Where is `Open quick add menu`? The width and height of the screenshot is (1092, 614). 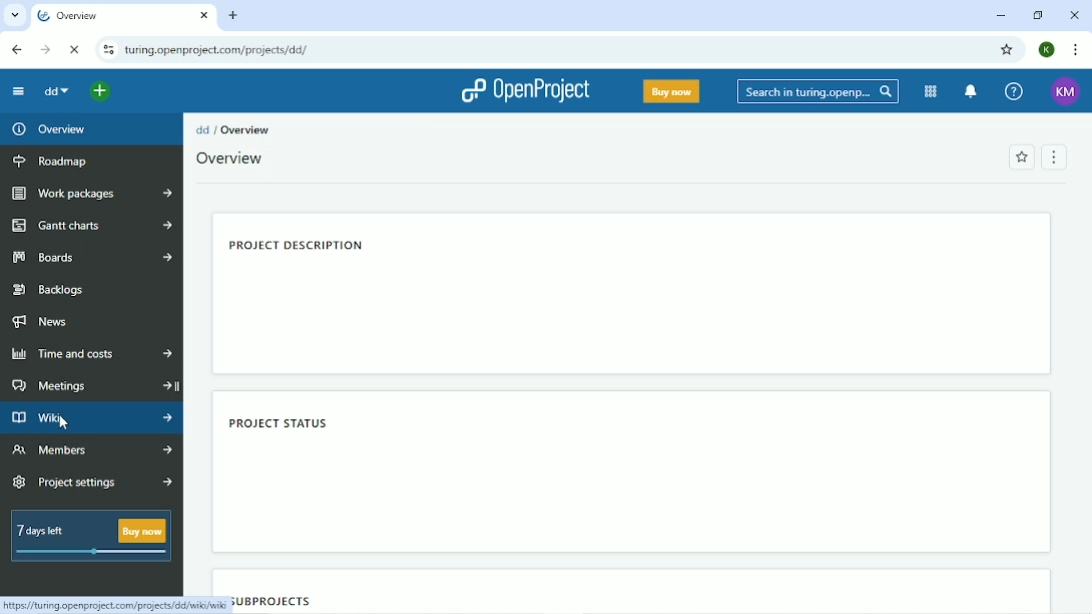 Open quick add menu is located at coordinates (103, 91).